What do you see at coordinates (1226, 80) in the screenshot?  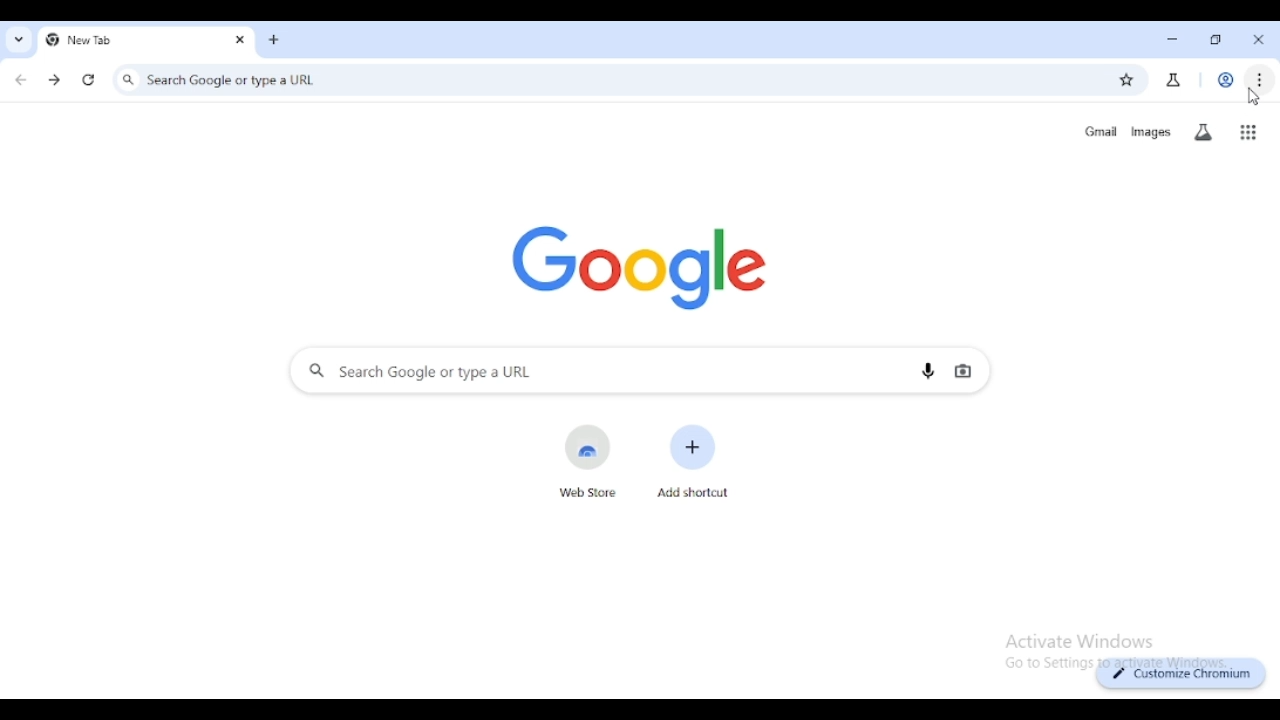 I see `profile` at bounding box center [1226, 80].